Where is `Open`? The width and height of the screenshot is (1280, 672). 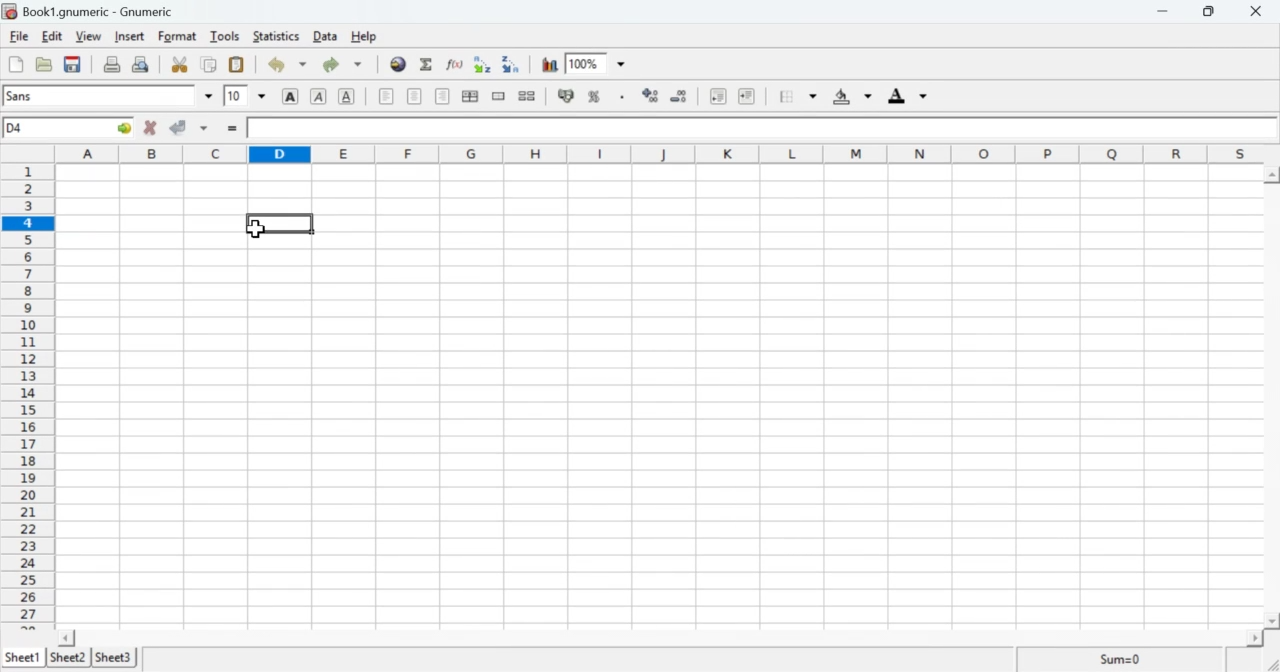 Open is located at coordinates (45, 65).